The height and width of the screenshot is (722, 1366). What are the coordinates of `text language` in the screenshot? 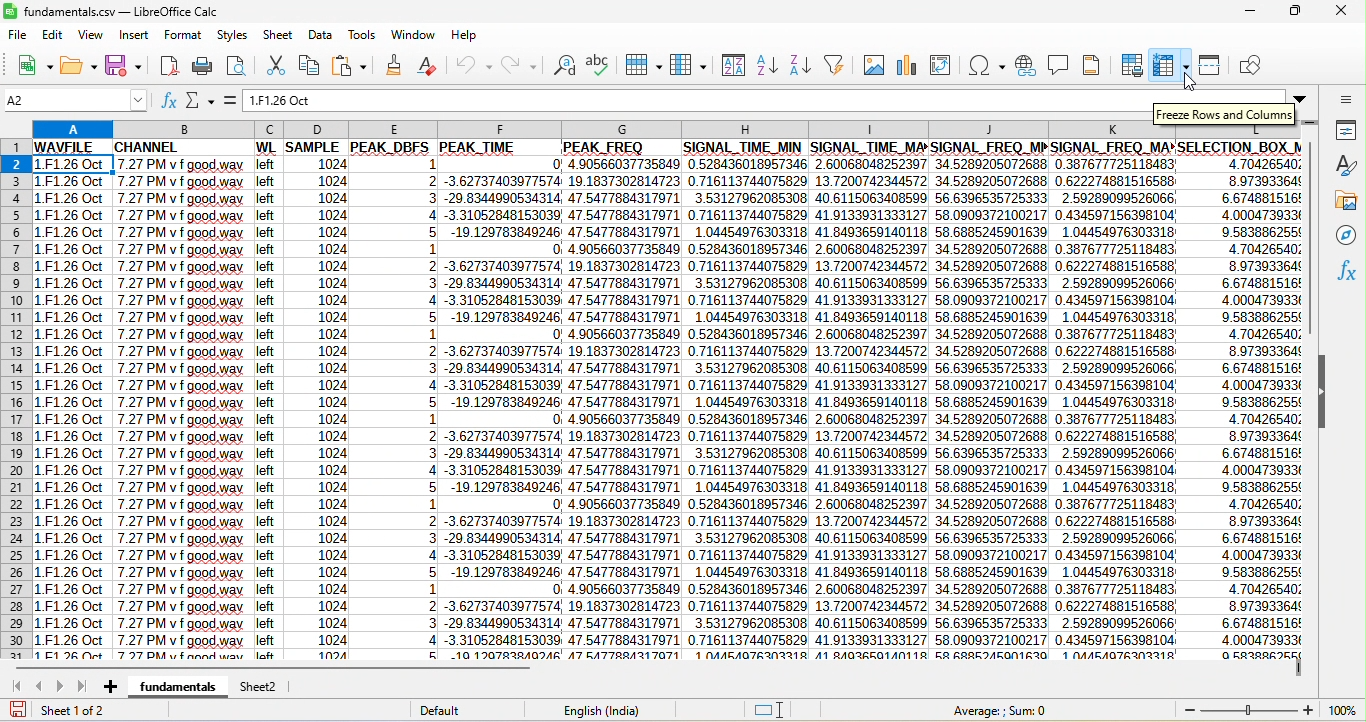 It's located at (604, 709).